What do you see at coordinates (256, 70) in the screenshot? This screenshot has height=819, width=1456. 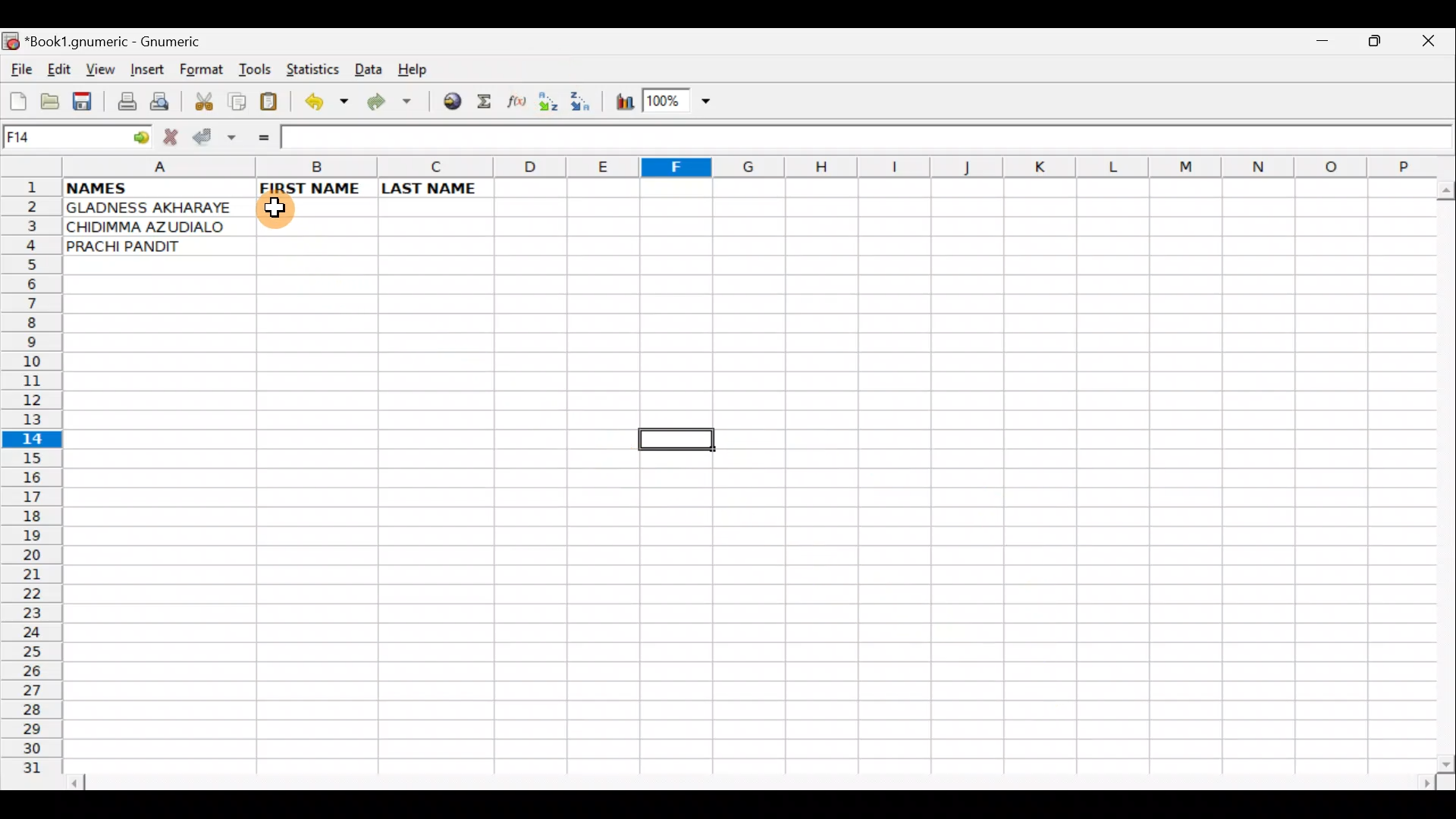 I see `Tools` at bounding box center [256, 70].